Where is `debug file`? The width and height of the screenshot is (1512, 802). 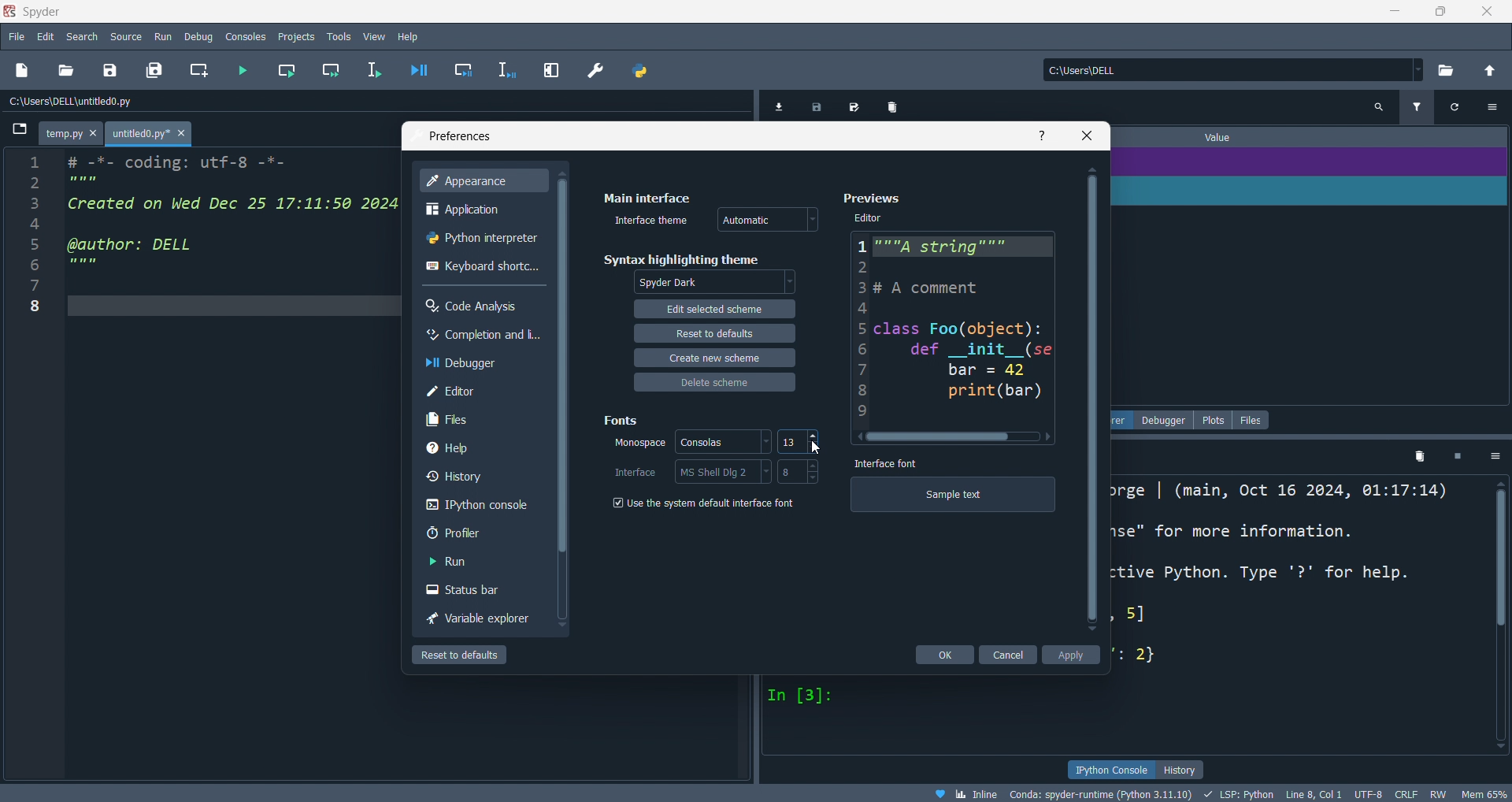 debug file is located at coordinates (422, 71).